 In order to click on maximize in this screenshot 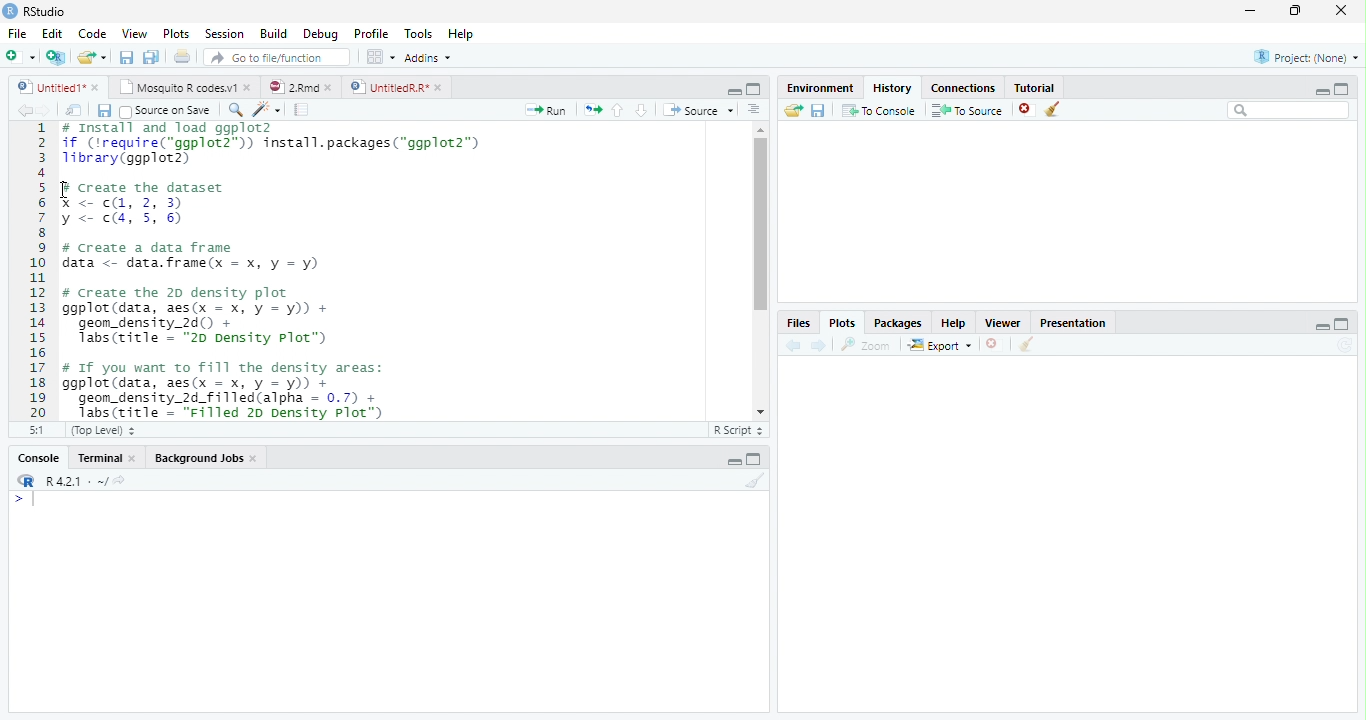, I will do `click(756, 459)`.